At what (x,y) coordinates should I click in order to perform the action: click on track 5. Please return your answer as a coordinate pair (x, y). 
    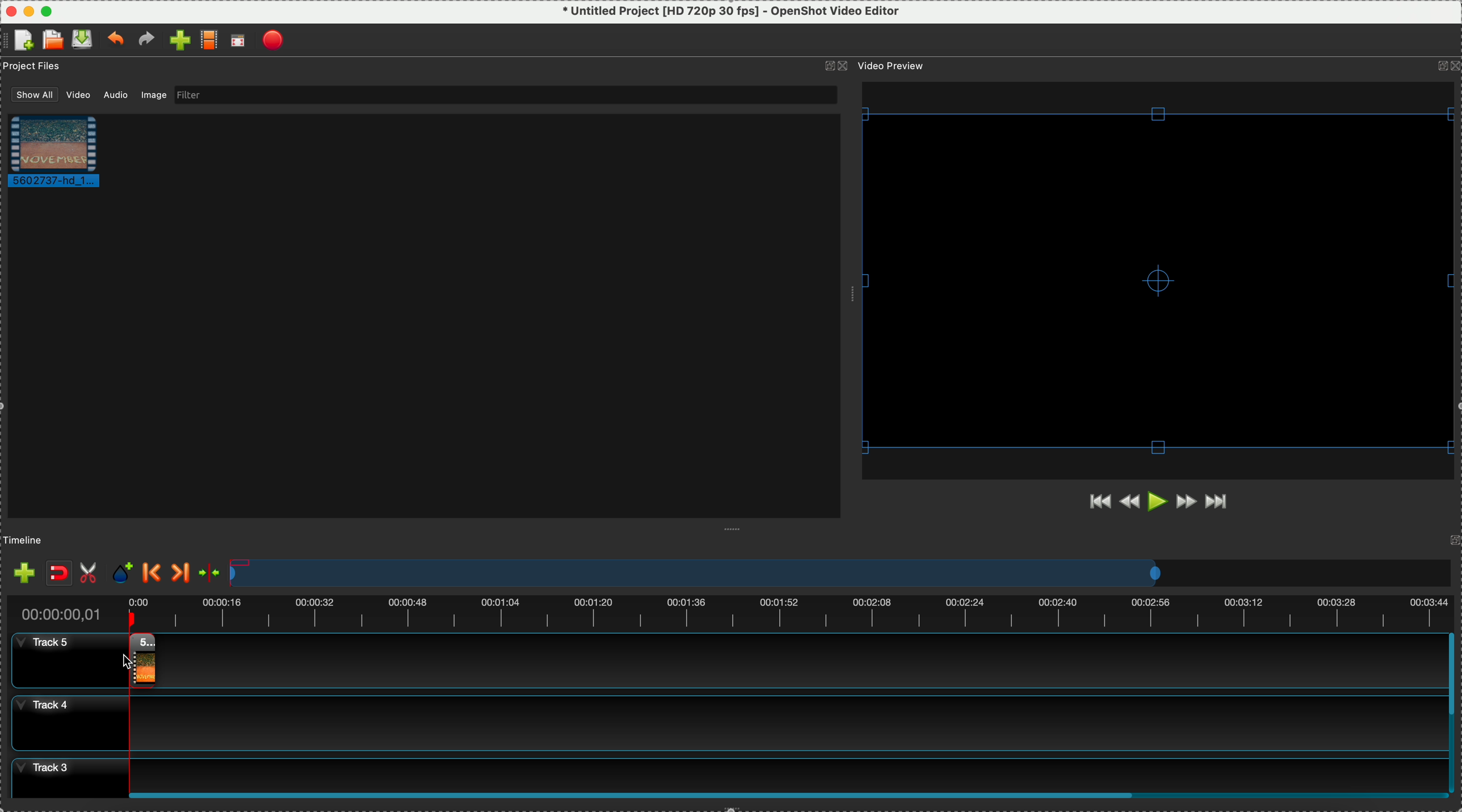
    Looking at the image, I should click on (725, 660).